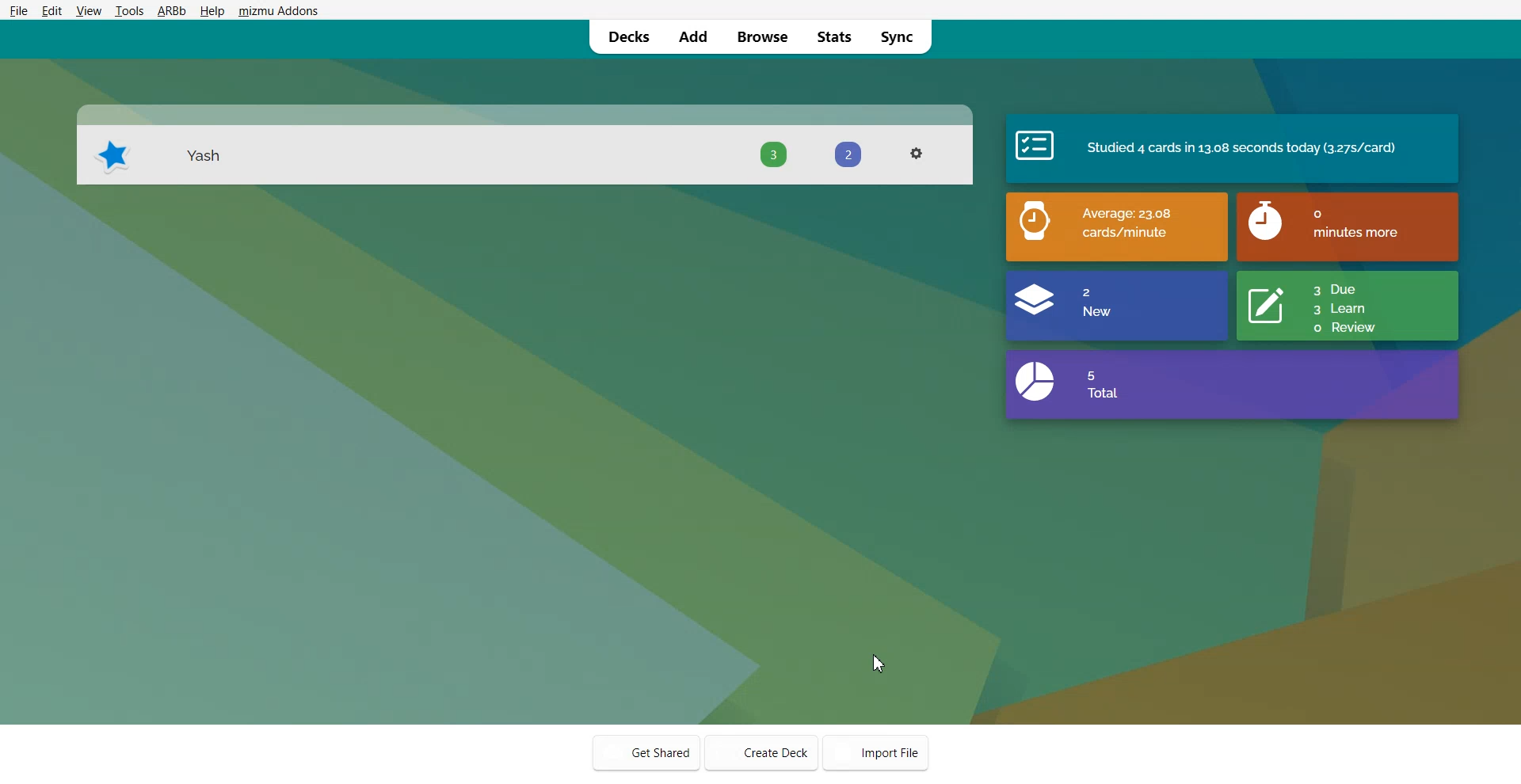 The image size is (1521, 784). What do you see at coordinates (904, 36) in the screenshot?
I see `Sync` at bounding box center [904, 36].